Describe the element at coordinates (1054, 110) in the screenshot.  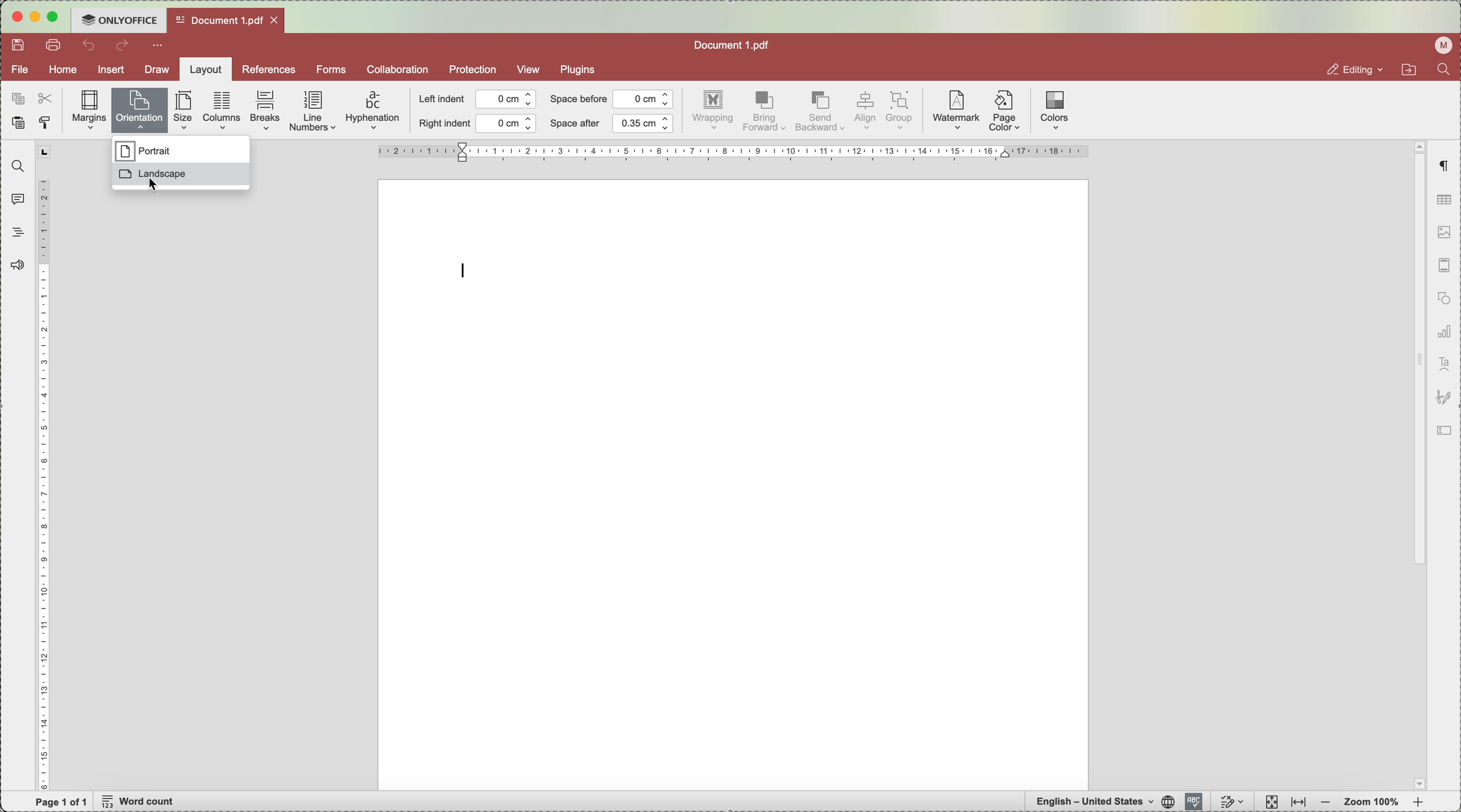
I see `colors` at that location.